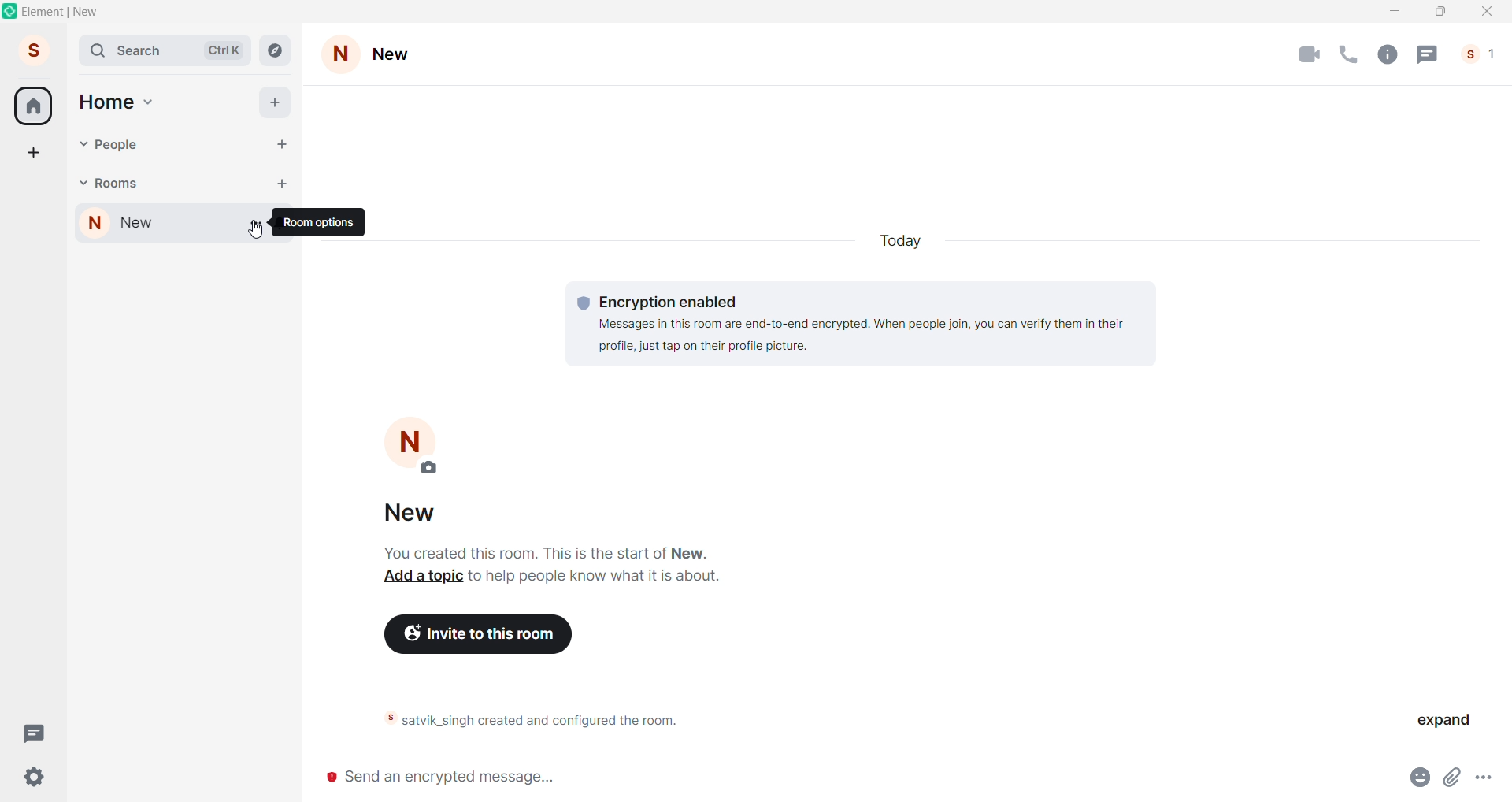 Image resolution: width=1512 pixels, height=802 pixels. Describe the element at coordinates (36, 776) in the screenshot. I see `Quick Settings` at that location.